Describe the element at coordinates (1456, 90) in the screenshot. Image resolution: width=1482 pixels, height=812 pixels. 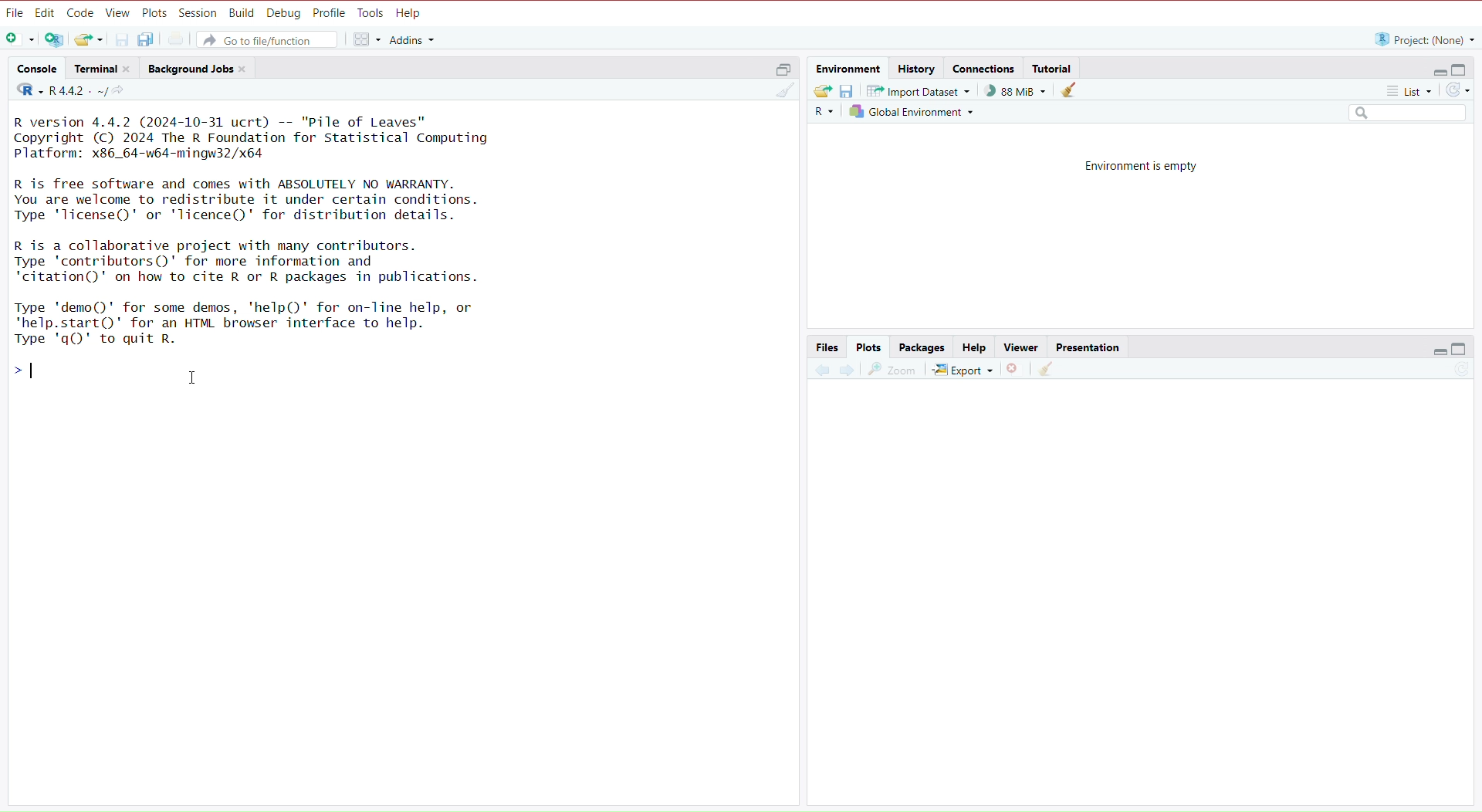
I see `Refresh list` at that location.